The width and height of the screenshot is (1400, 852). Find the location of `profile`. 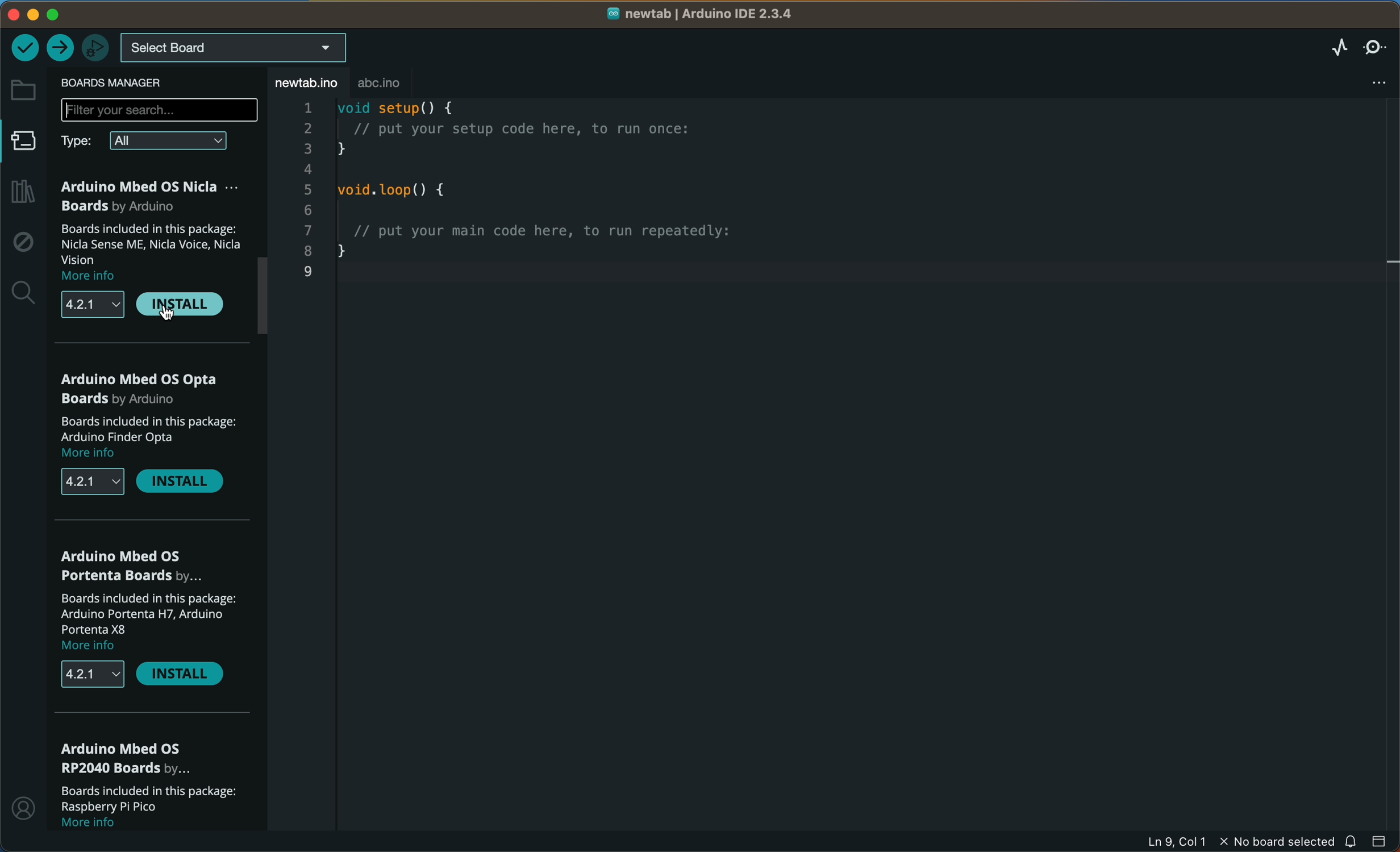

profile is located at coordinates (23, 813).